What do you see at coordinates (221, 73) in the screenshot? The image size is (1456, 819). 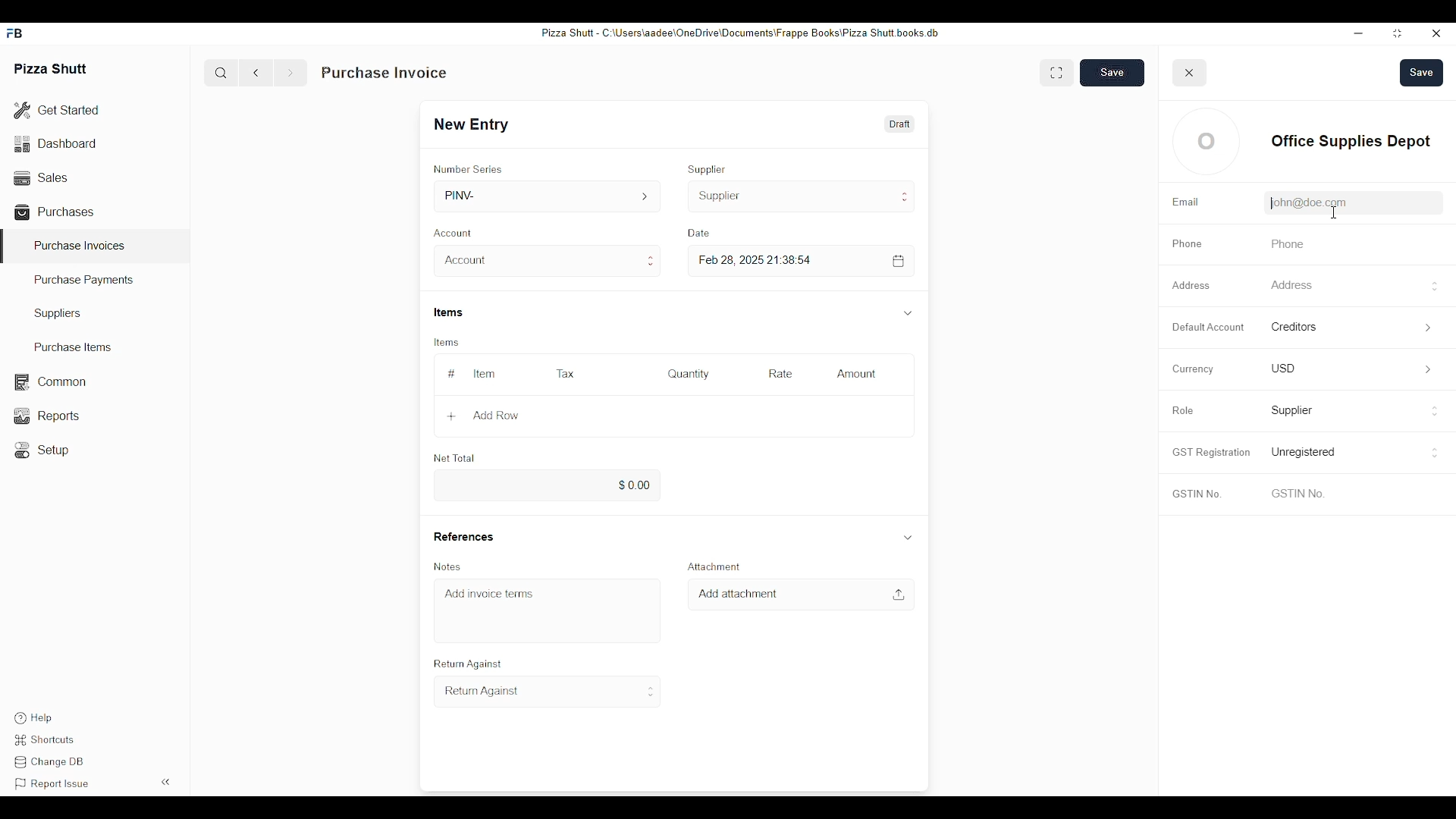 I see `search` at bounding box center [221, 73].